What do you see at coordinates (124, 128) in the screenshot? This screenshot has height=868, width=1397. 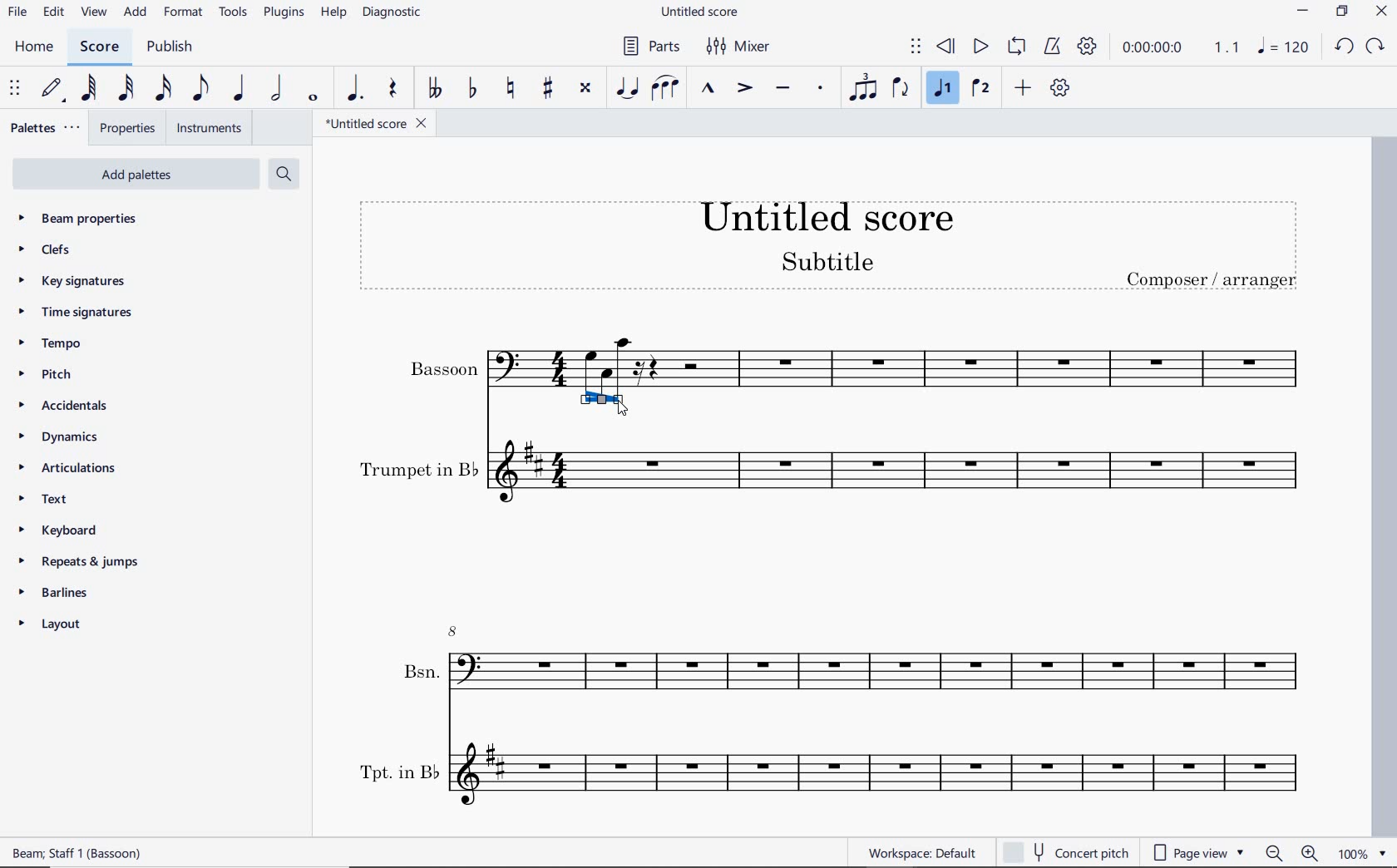 I see `properties` at bounding box center [124, 128].